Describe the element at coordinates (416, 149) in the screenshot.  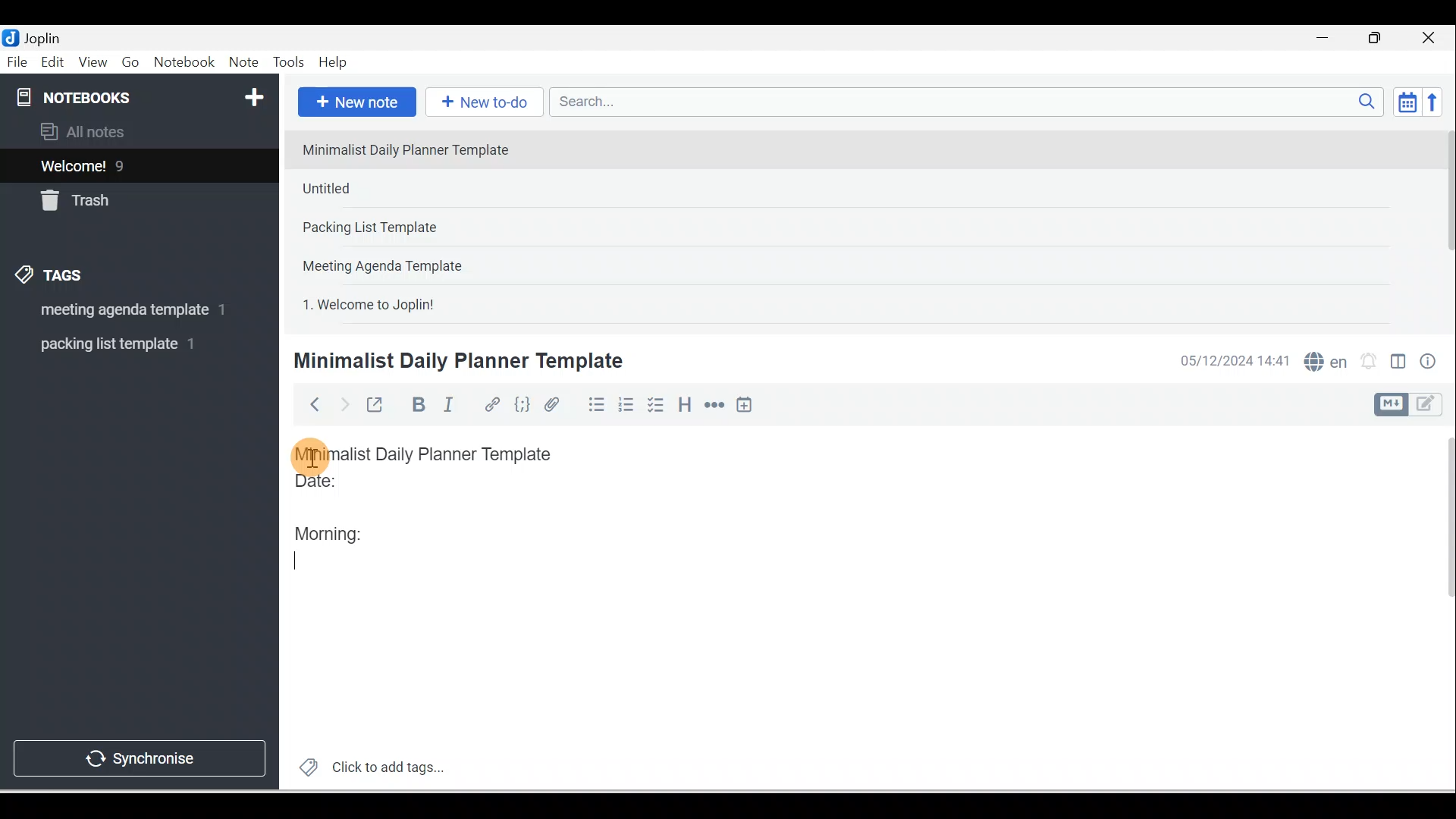
I see `Note 1` at that location.